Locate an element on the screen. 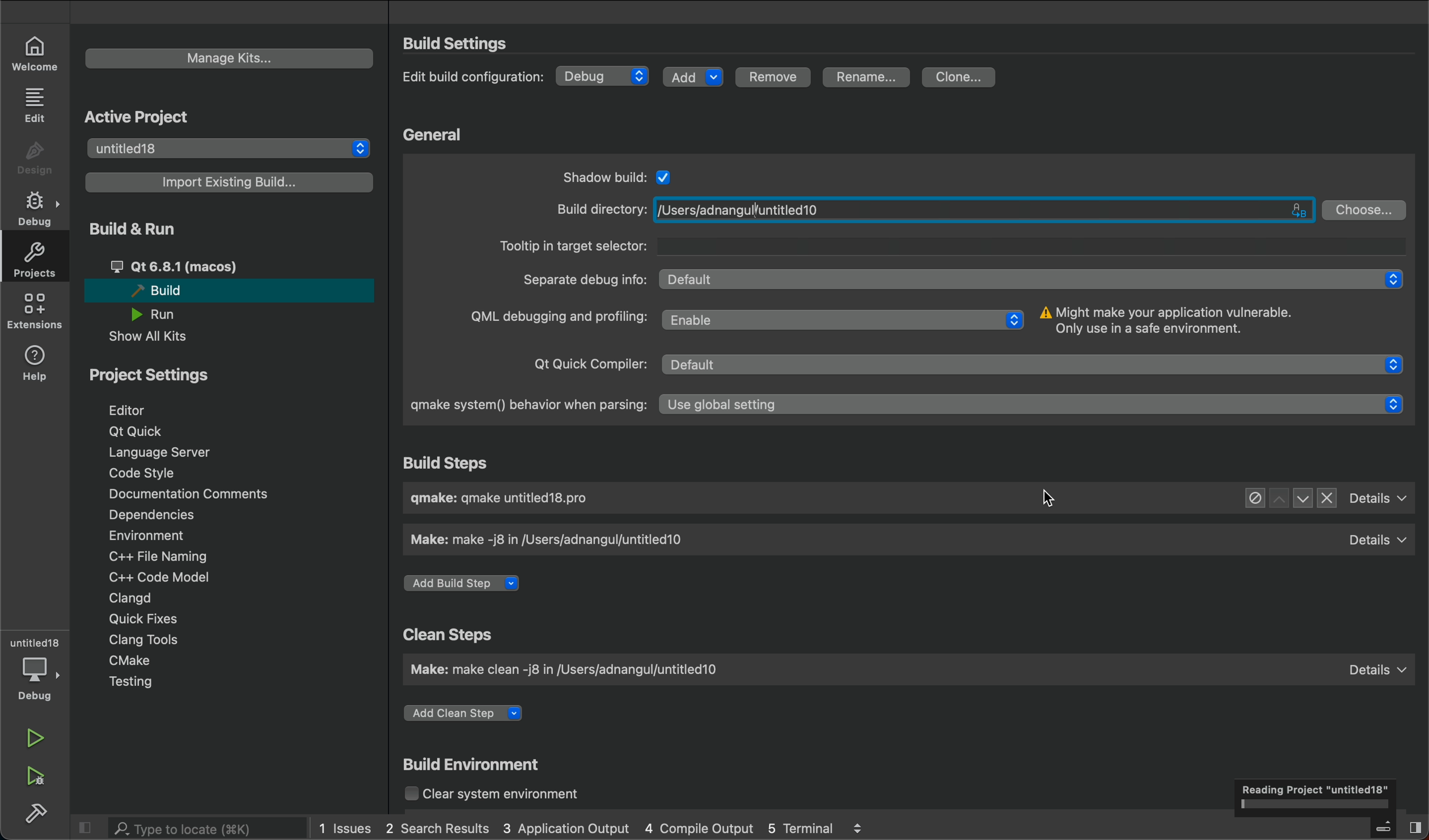  manage kits is located at coordinates (231, 58).